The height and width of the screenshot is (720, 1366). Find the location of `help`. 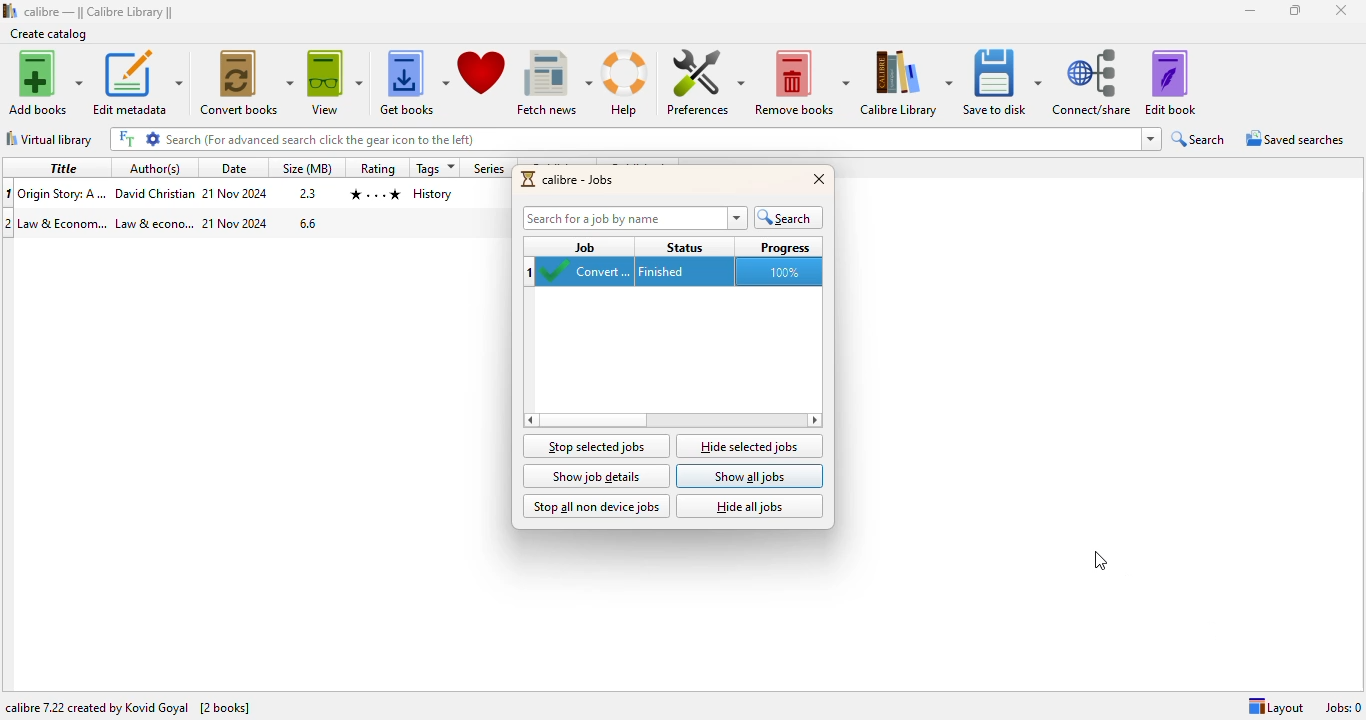

help is located at coordinates (628, 84).